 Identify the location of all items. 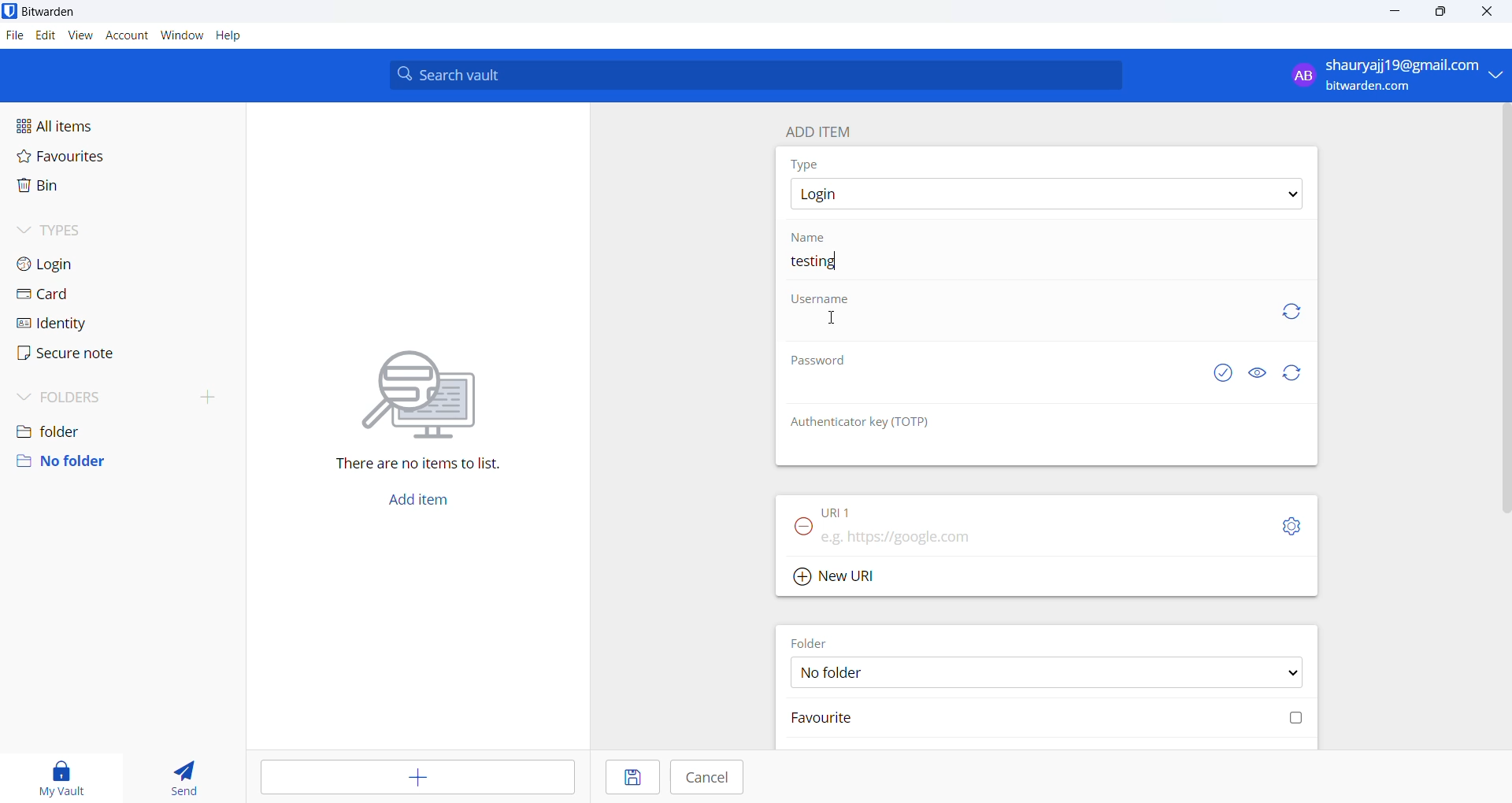
(91, 123).